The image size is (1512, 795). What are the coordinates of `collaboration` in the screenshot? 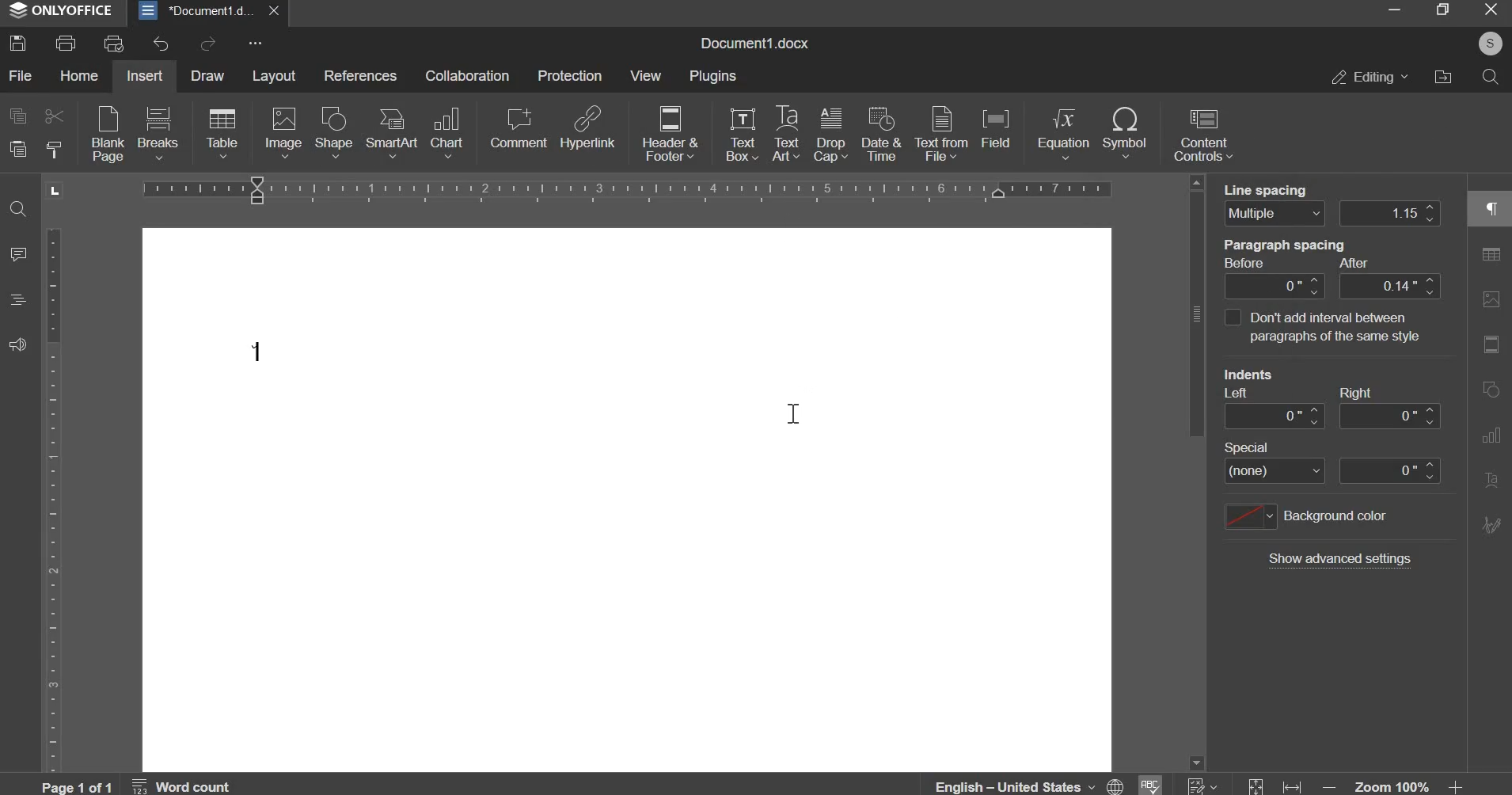 It's located at (467, 75).